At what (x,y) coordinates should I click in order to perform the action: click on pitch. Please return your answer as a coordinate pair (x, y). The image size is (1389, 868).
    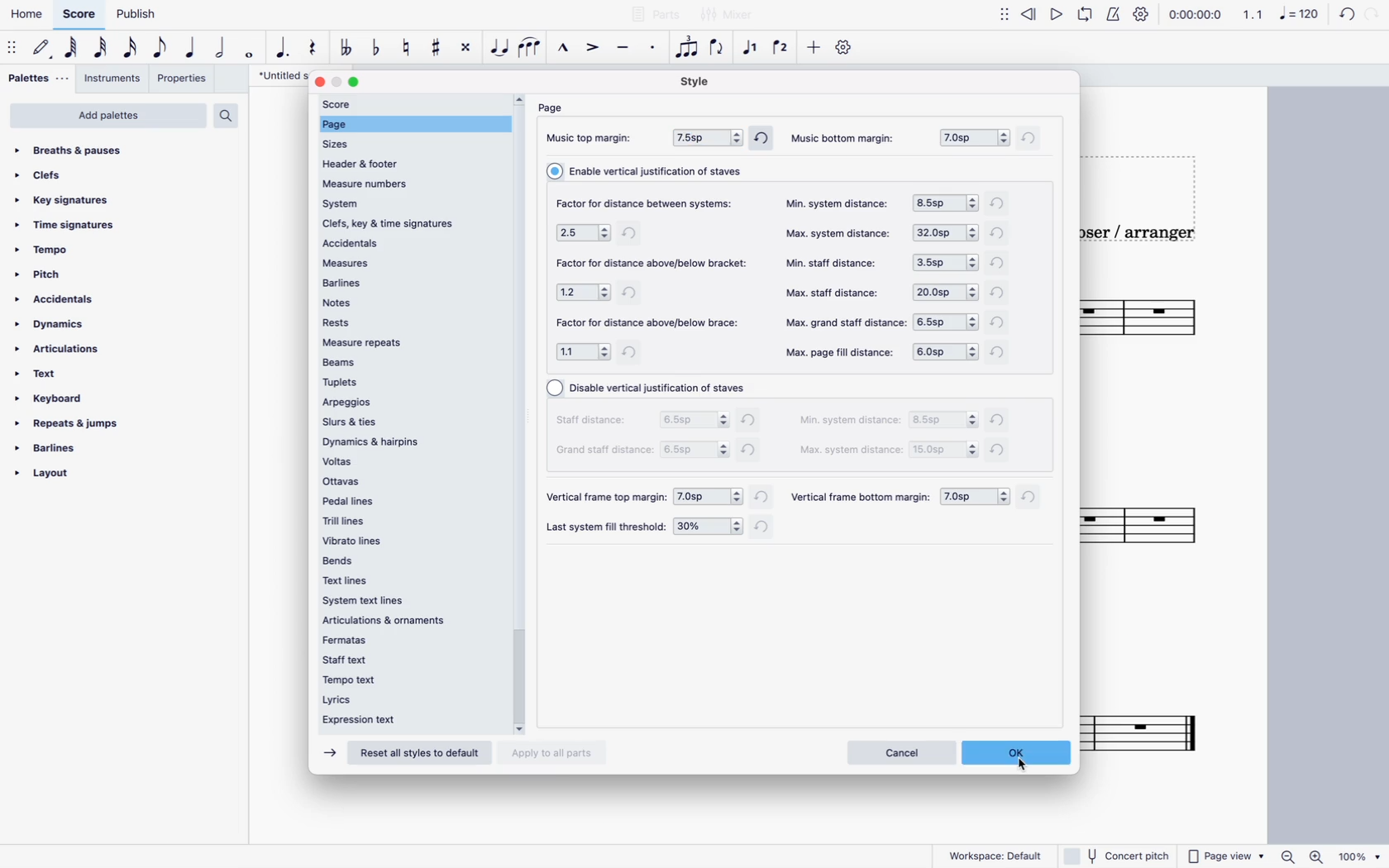
    Looking at the image, I should click on (45, 274).